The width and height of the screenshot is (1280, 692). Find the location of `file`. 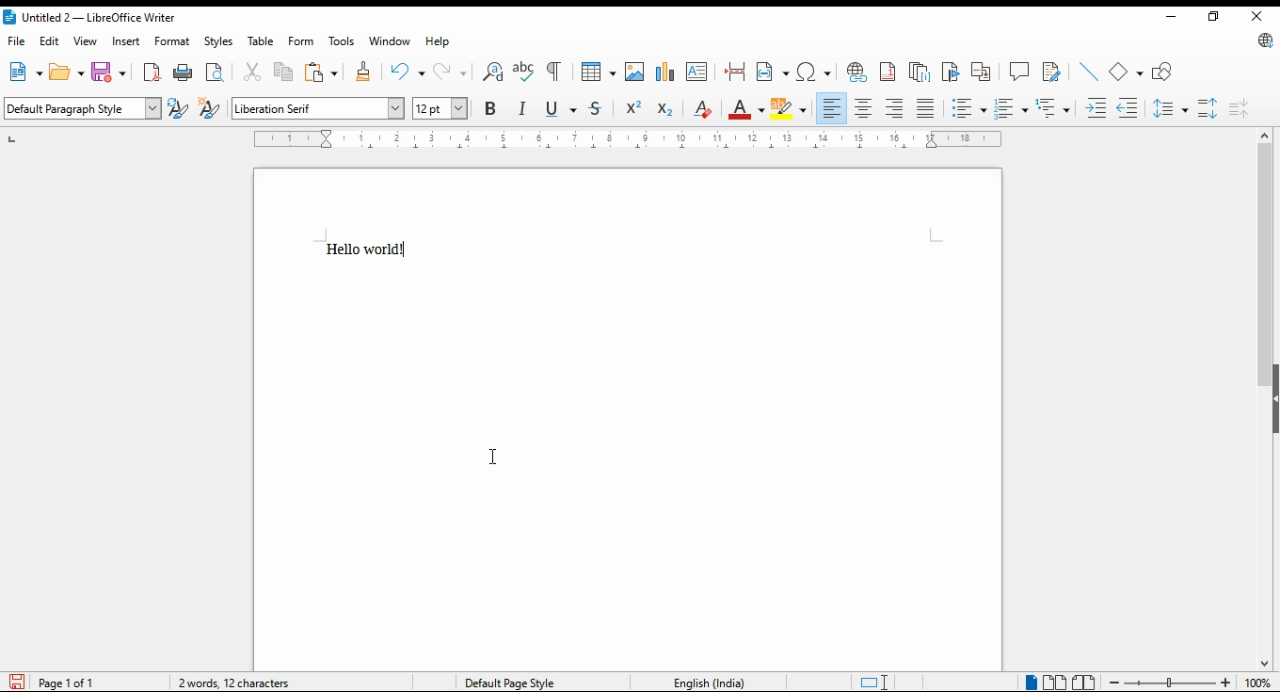

file is located at coordinates (19, 43).